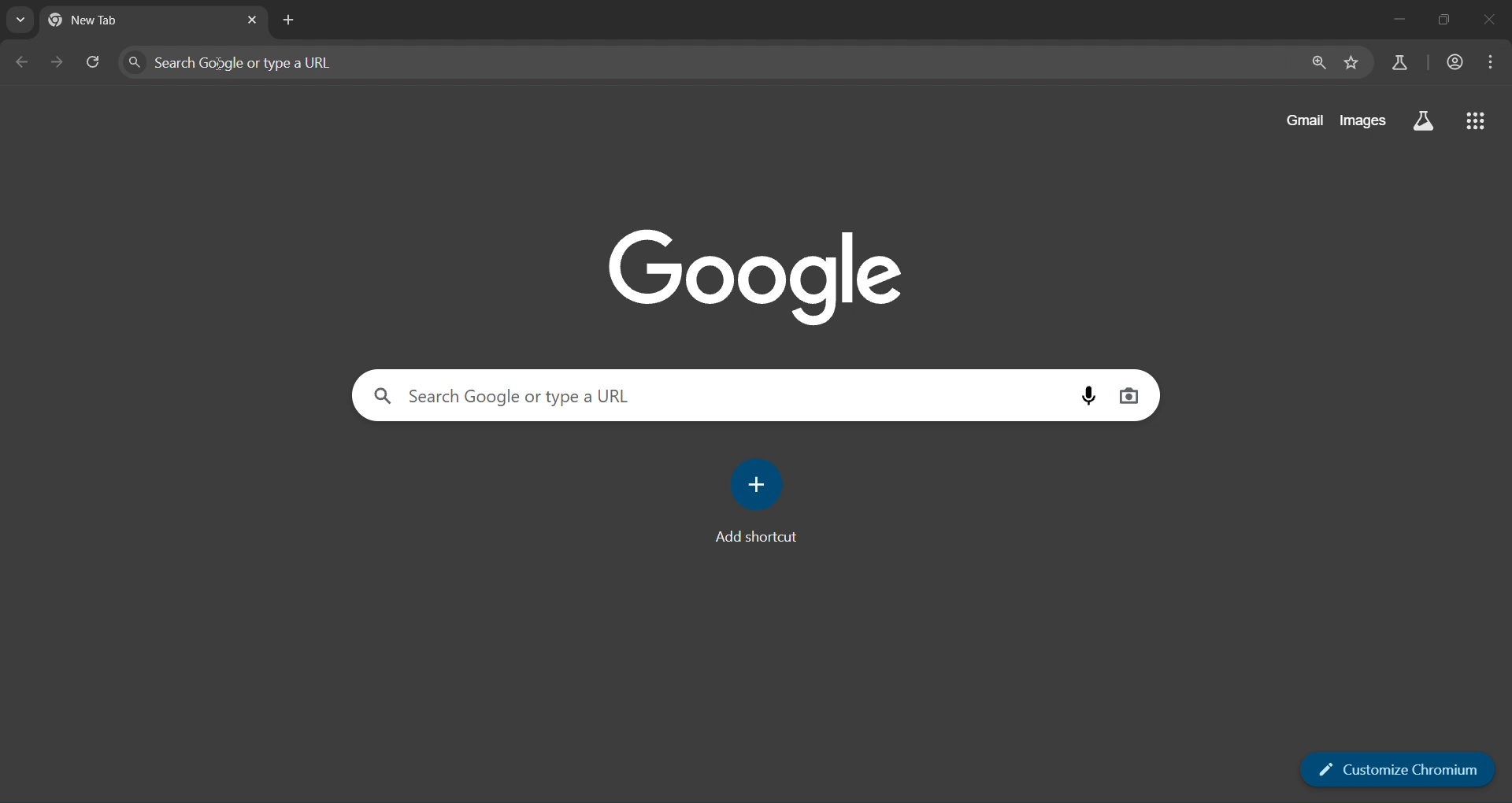 This screenshot has width=1512, height=803. Describe the element at coordinates (254, 22) in the screenshot. I see `close tab` at that location.